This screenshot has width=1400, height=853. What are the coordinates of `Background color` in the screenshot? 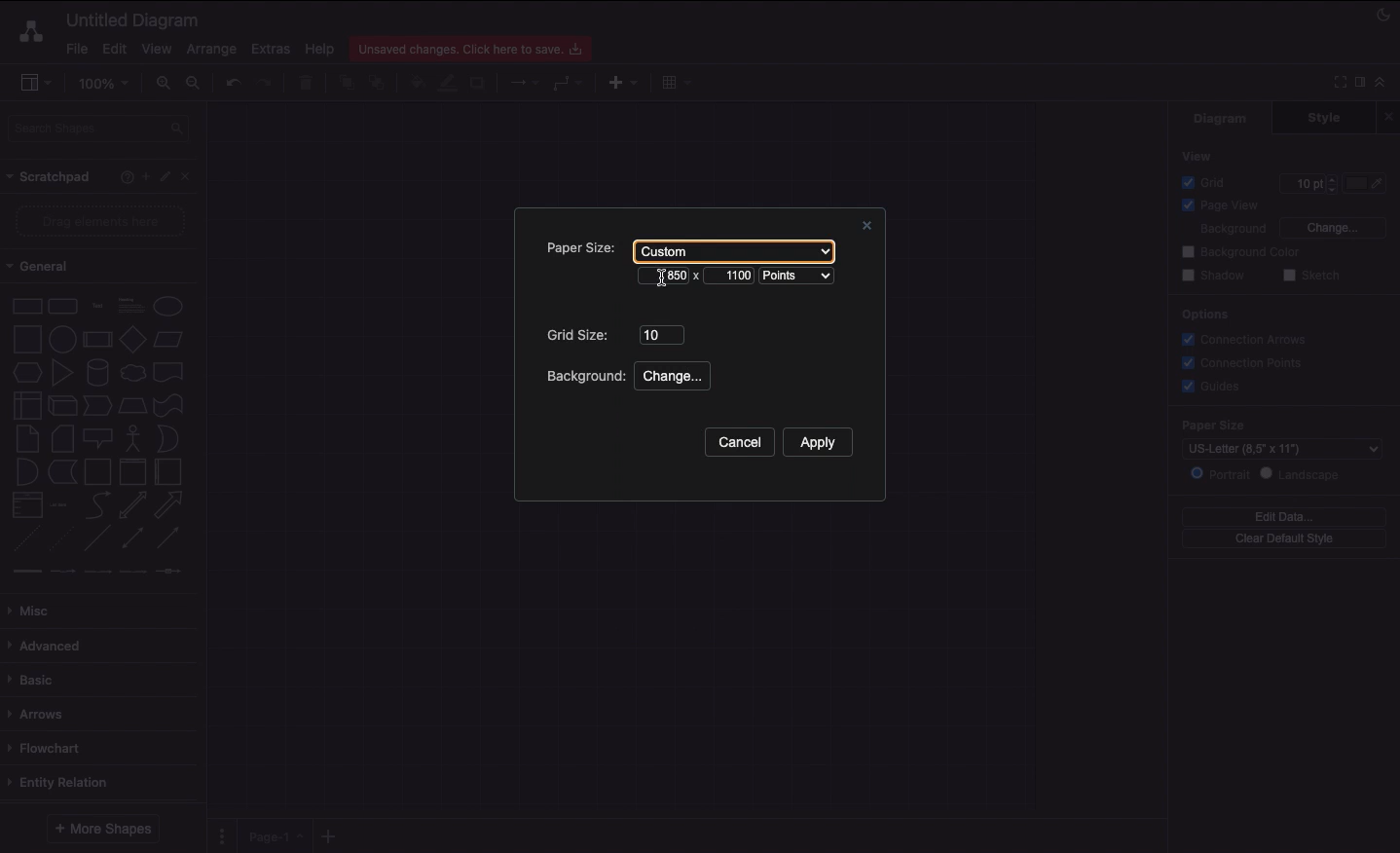 It's located at (1243, 252).